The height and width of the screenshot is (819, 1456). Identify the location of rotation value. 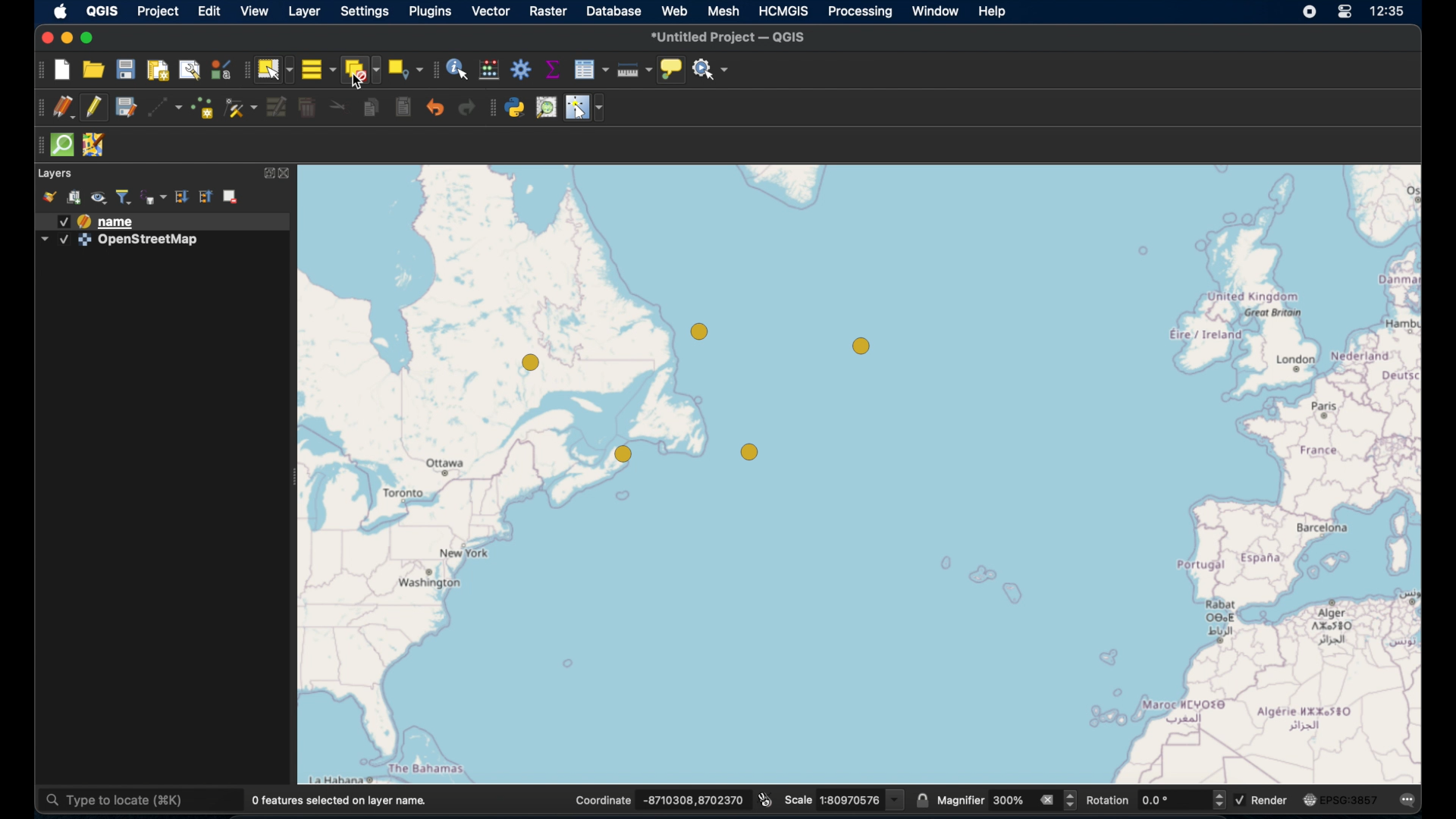
(1174, 801).